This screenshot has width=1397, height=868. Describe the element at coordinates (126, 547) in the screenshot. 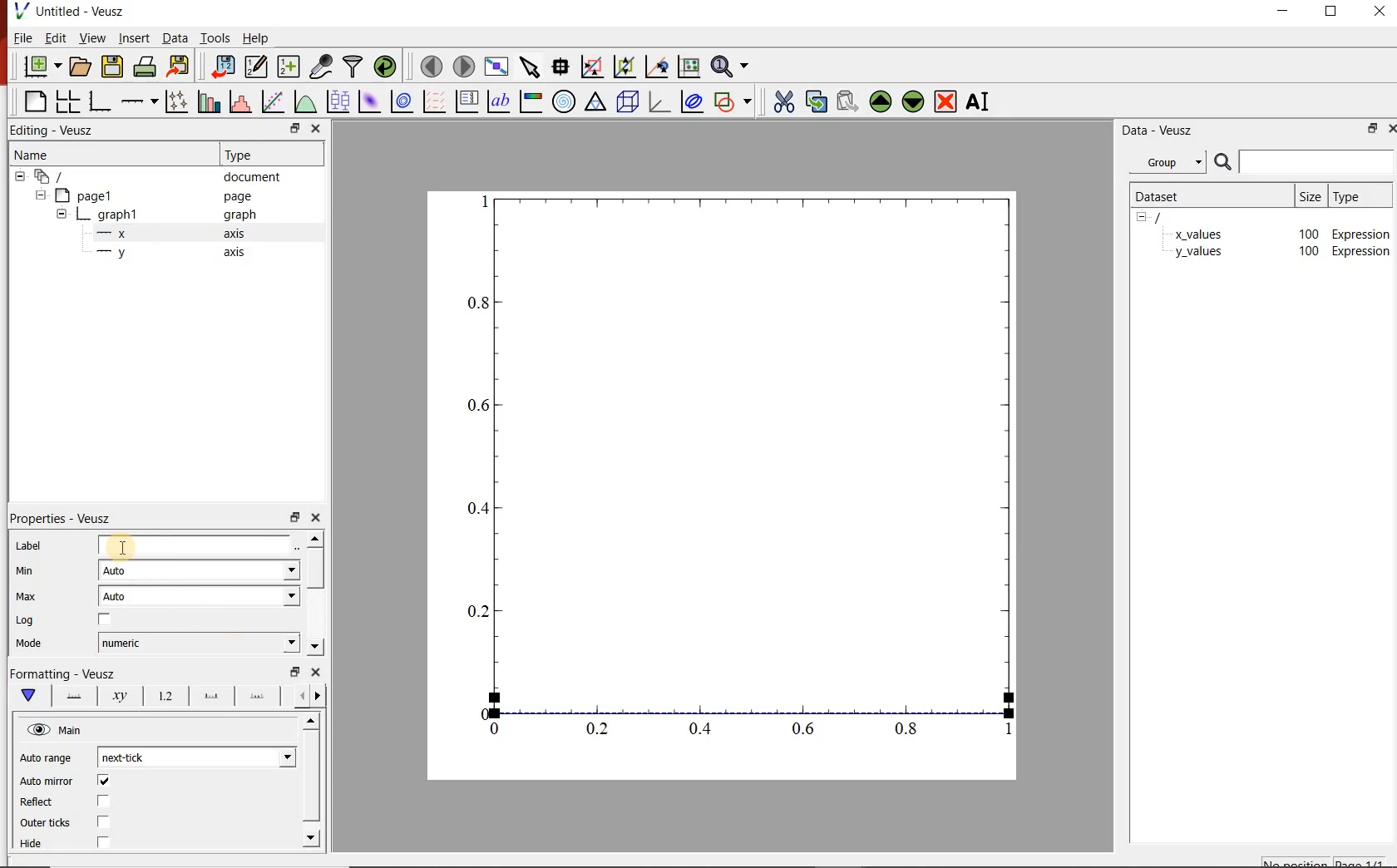

I see `cursor` at that location.